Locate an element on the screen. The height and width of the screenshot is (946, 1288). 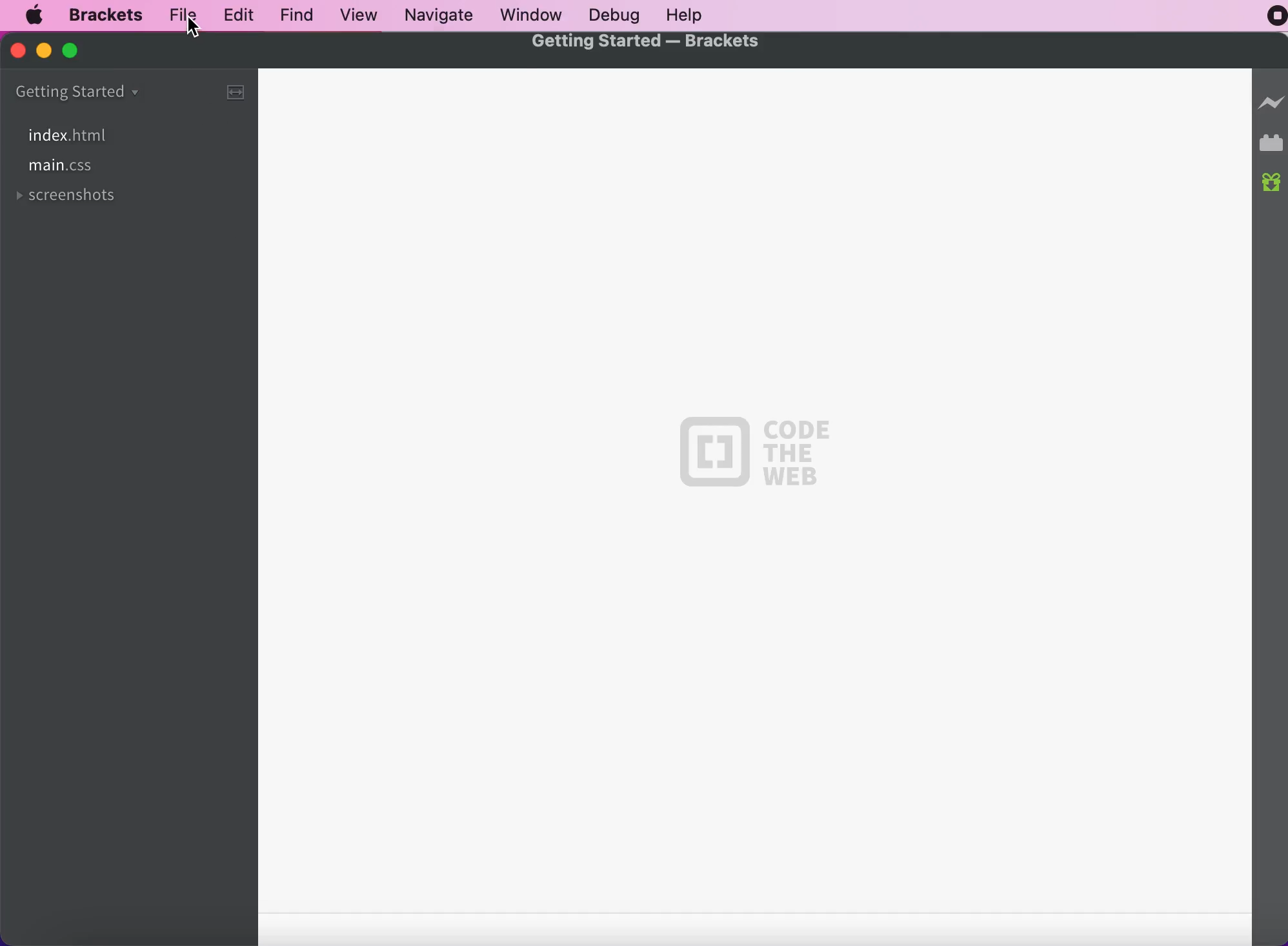
cursor is located at coordinates (194, 28).